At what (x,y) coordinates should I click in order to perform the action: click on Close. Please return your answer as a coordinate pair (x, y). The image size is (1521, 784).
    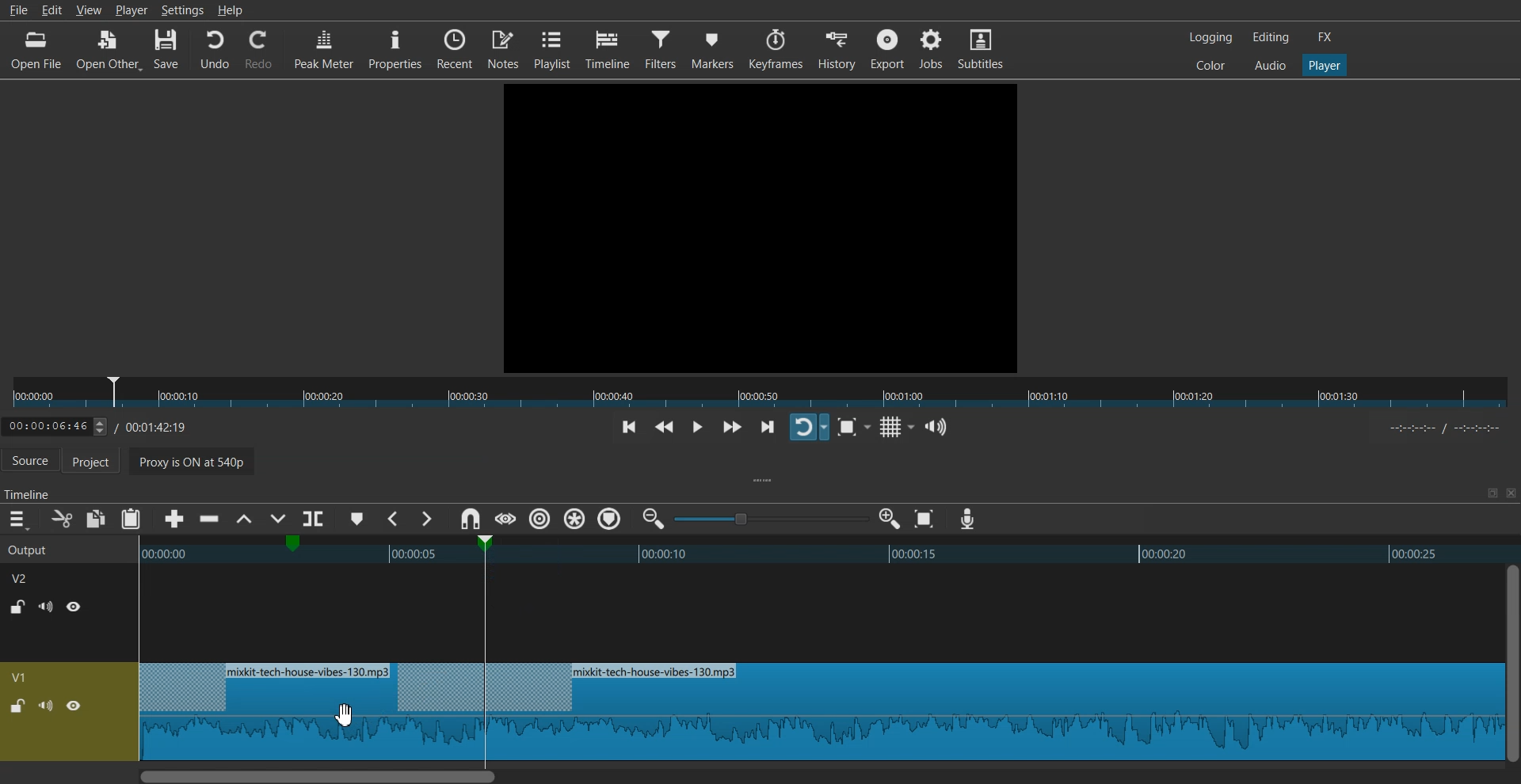
    Looking at the image, I should click on (1509, 493).